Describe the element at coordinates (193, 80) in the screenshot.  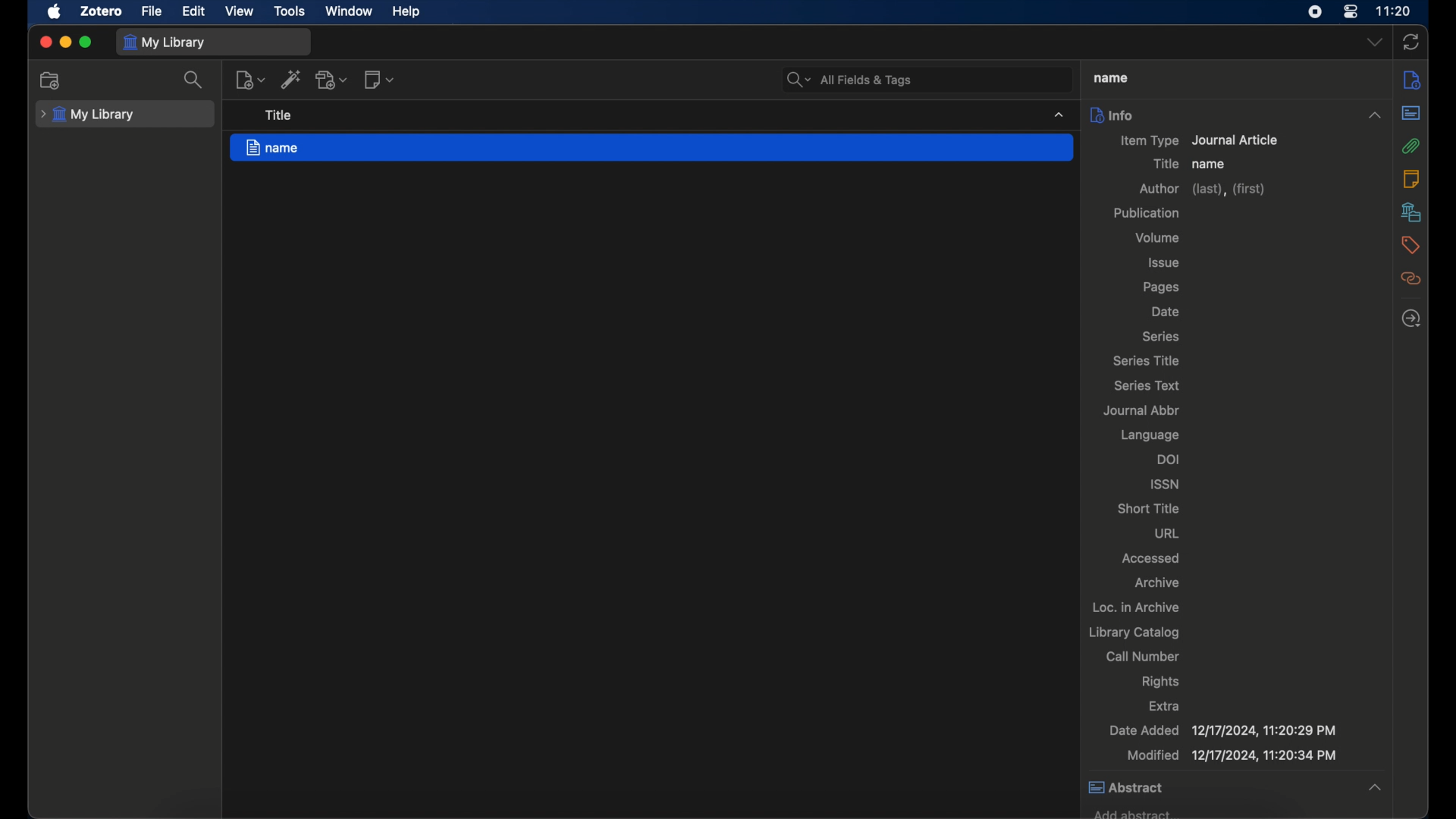
I see `search` at that location.